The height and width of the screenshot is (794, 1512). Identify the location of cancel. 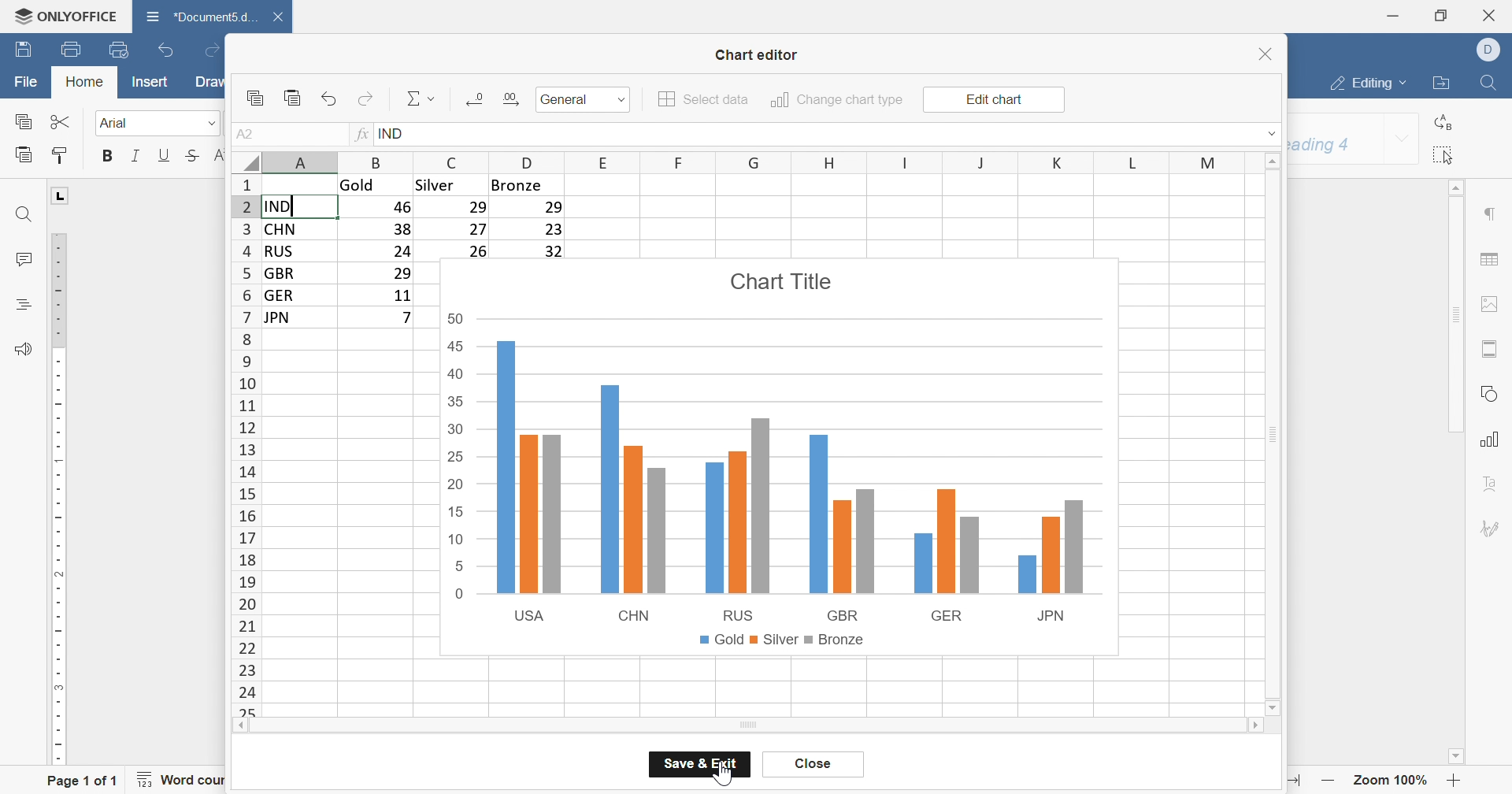
(813, 765).